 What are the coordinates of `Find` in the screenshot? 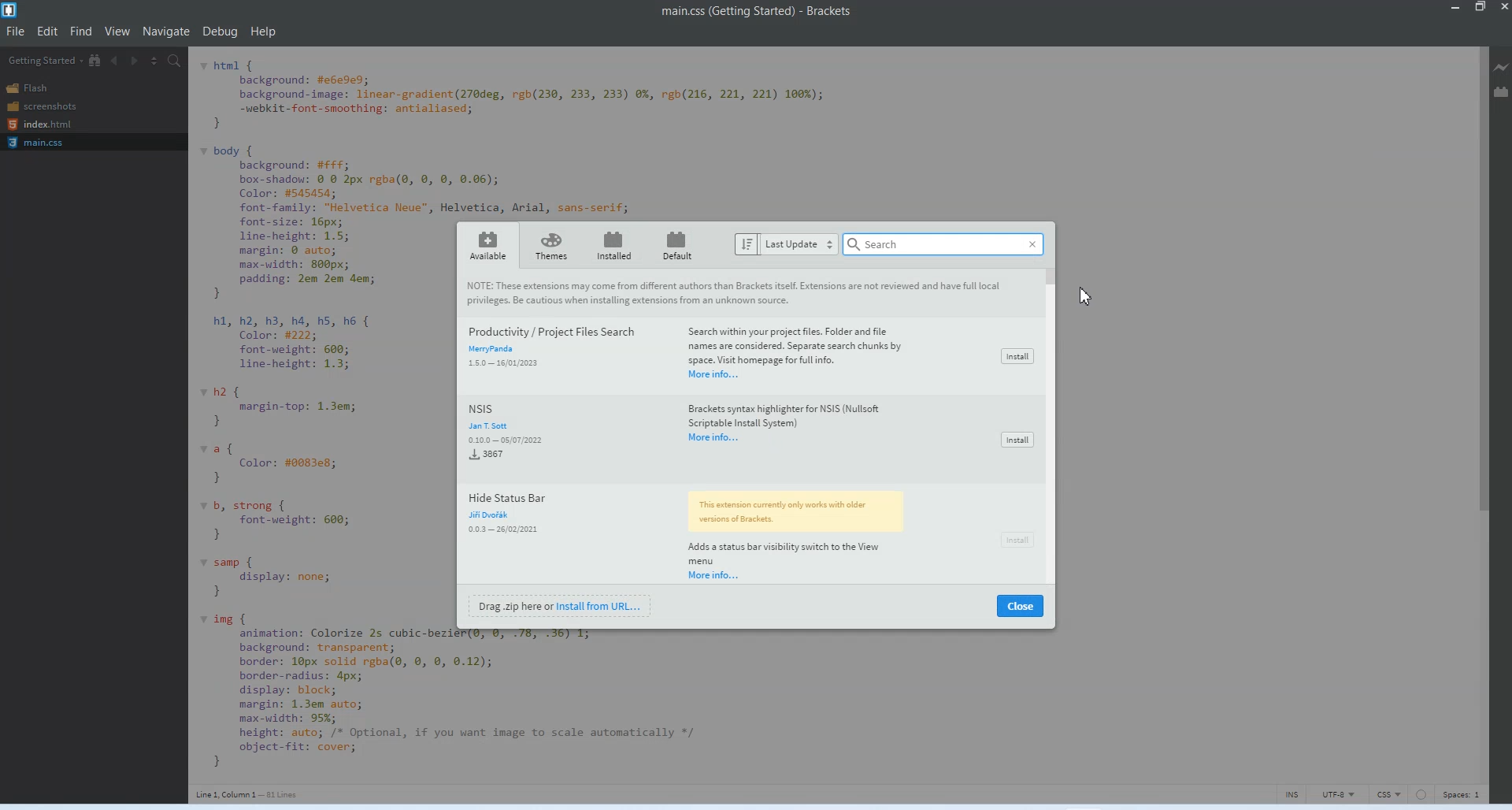 It's located at (83, 31).